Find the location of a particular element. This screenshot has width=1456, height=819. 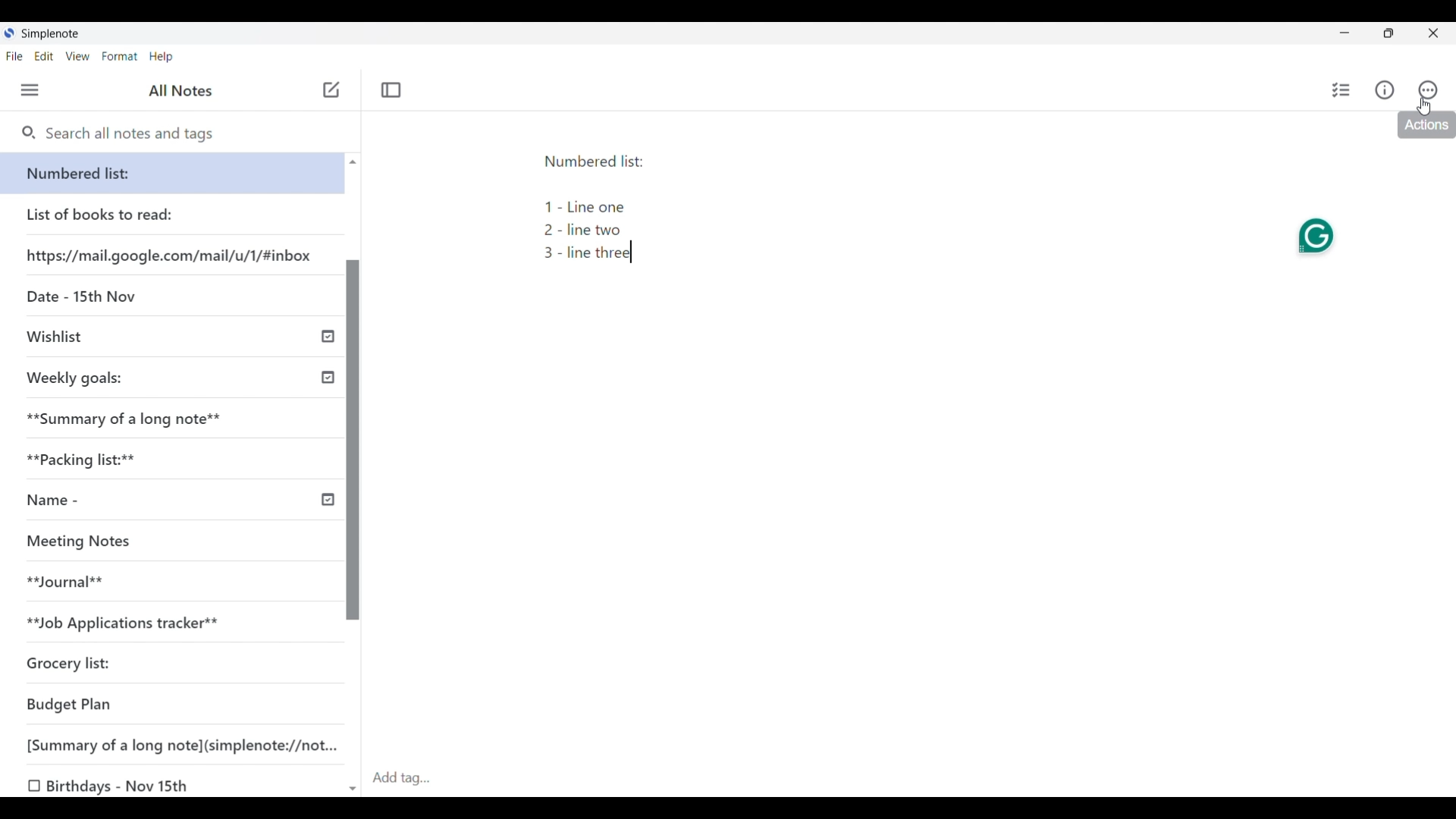

Format menu  is located at coordinates (121, 56).